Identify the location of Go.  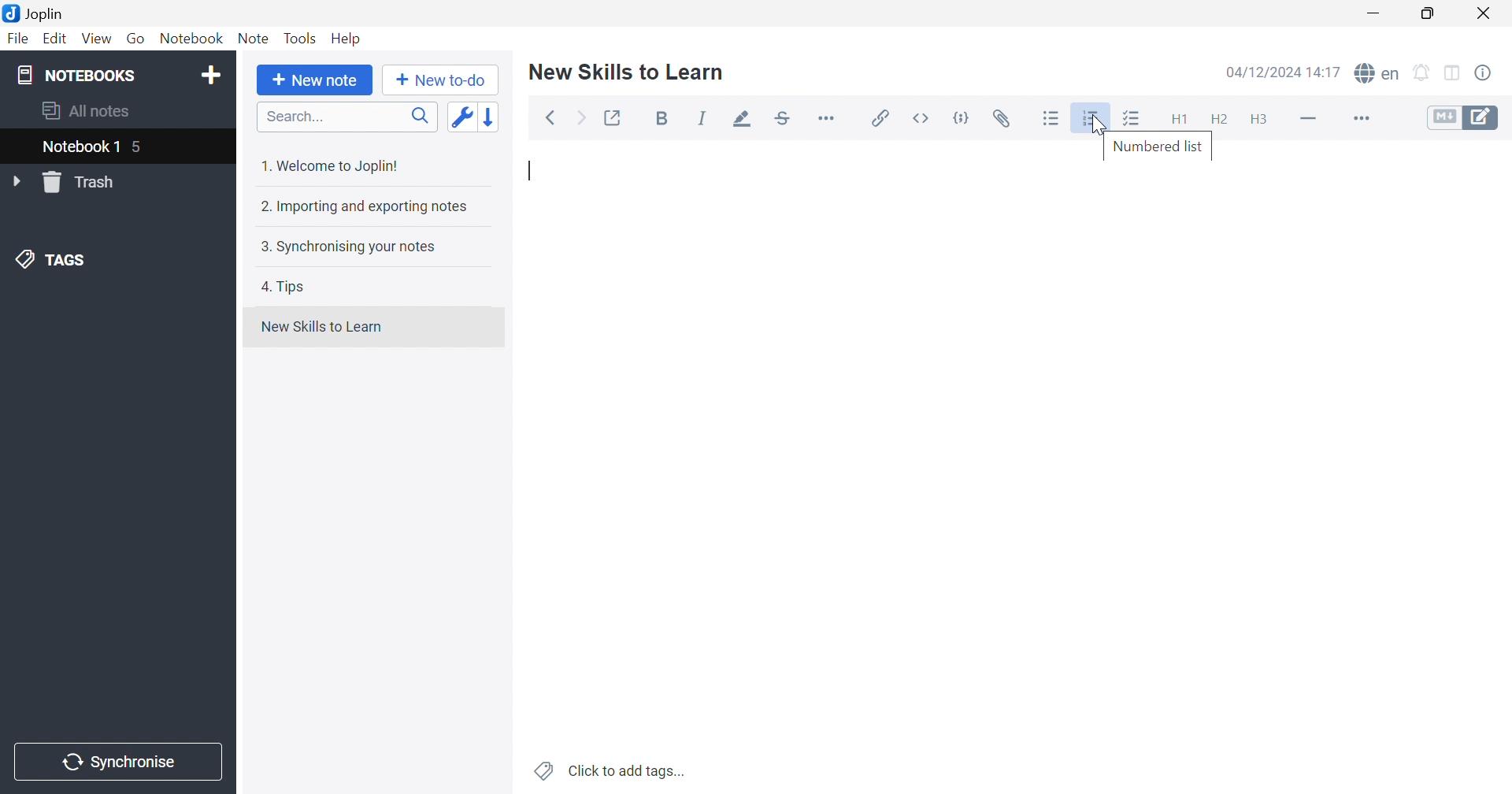
(135, 39).